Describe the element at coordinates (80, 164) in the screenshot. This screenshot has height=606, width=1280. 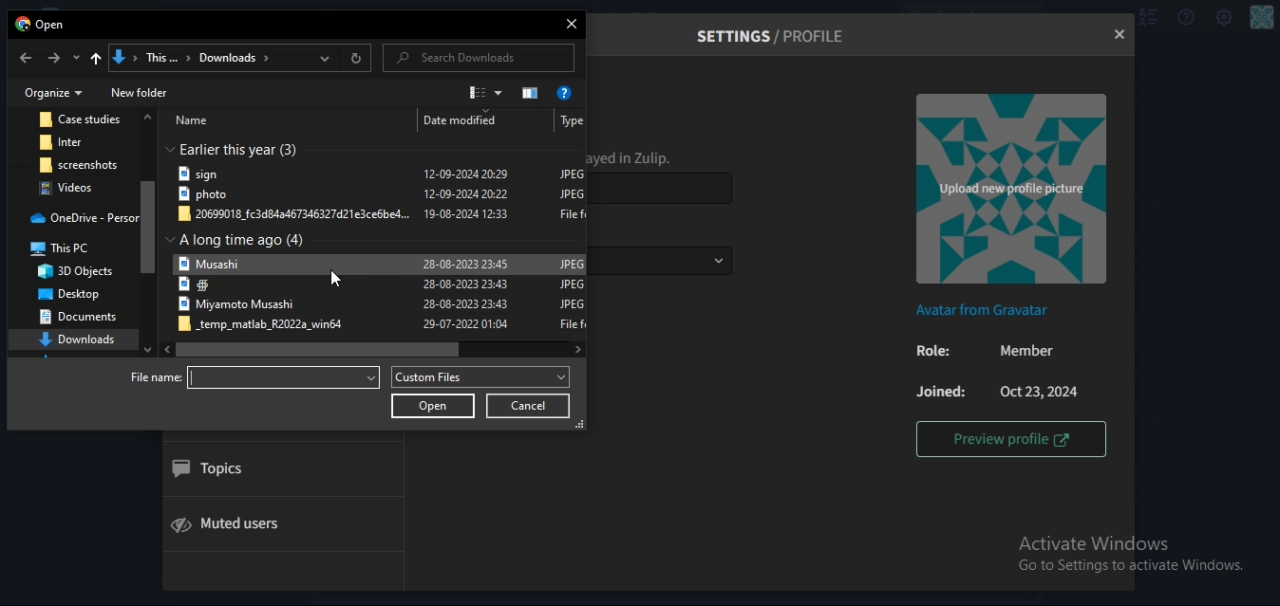
I see `file` at that location.